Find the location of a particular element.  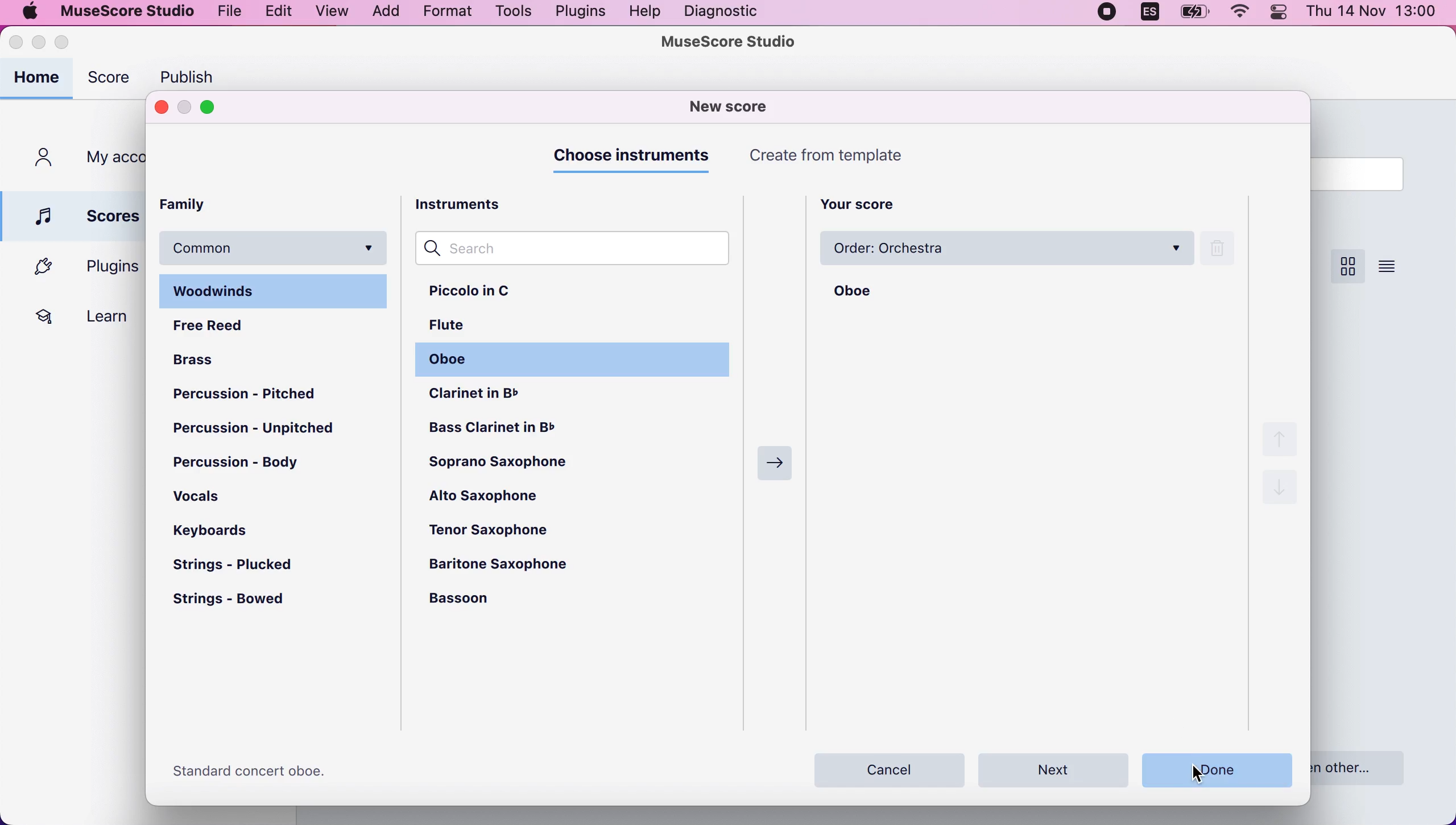

oboe is located at coordinates (859, 293).